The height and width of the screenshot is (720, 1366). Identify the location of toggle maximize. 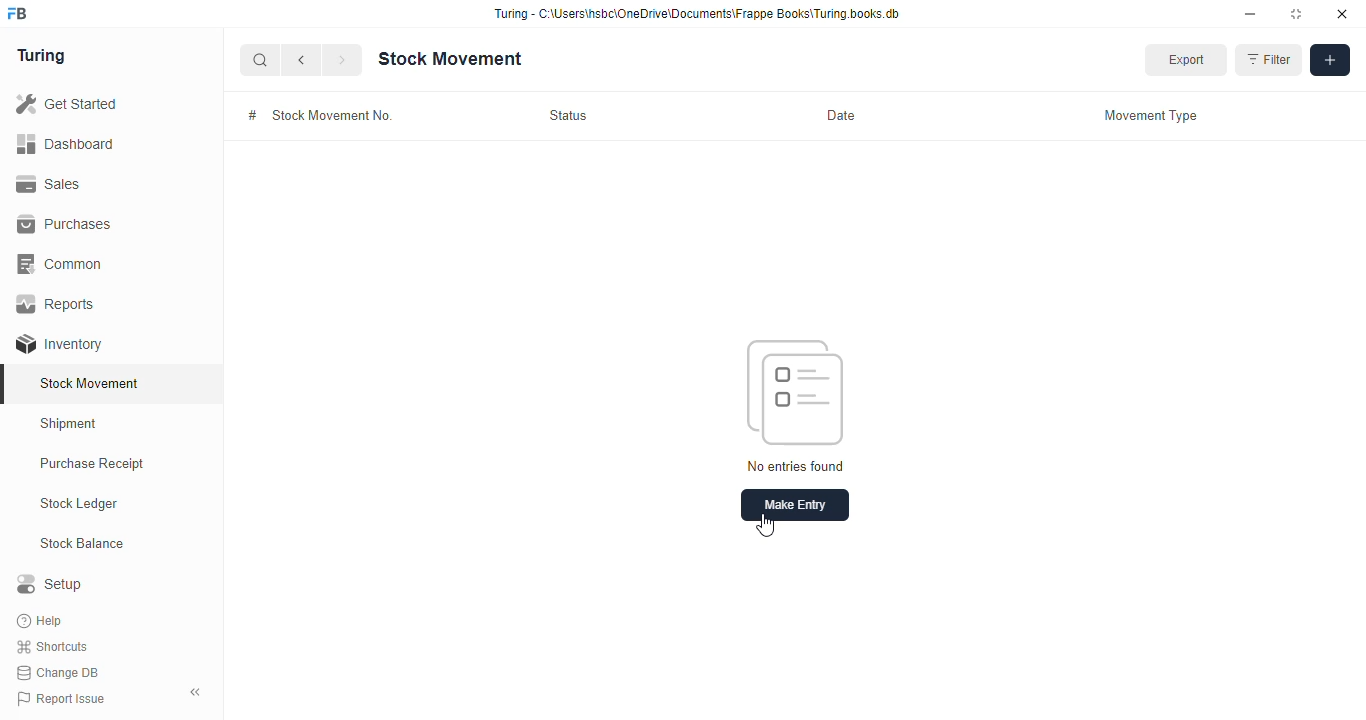
(1295, 14).